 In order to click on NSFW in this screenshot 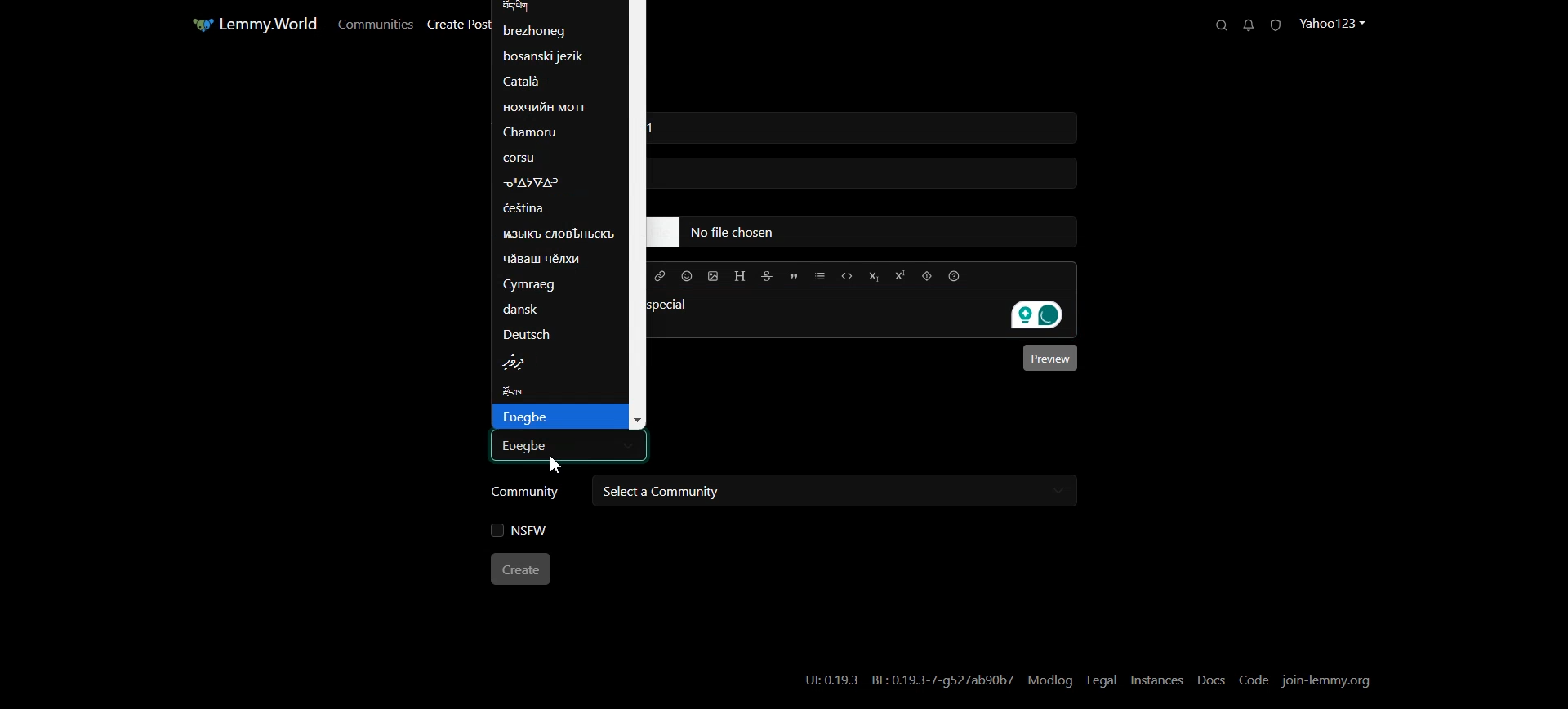, I will do `click(520, 531)`.